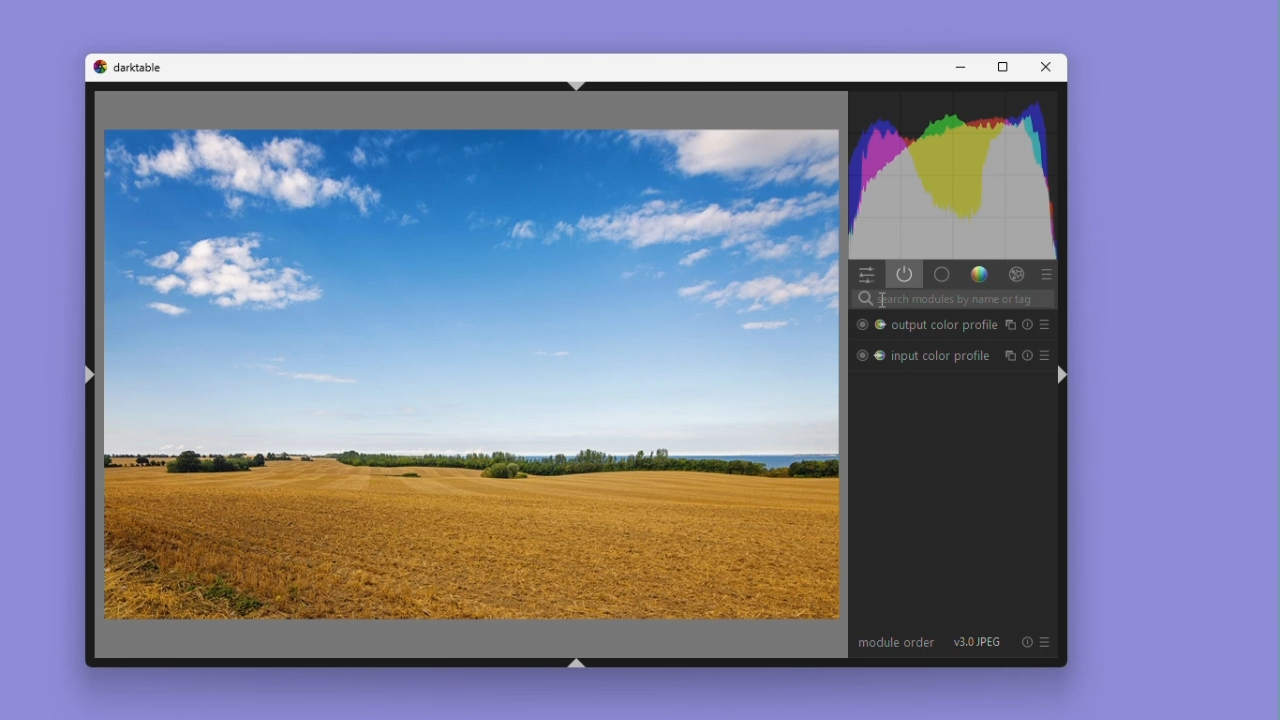 This screenshot has height=720, width=1280. I want to click on shift+ctrl+b, so click(578, 665).